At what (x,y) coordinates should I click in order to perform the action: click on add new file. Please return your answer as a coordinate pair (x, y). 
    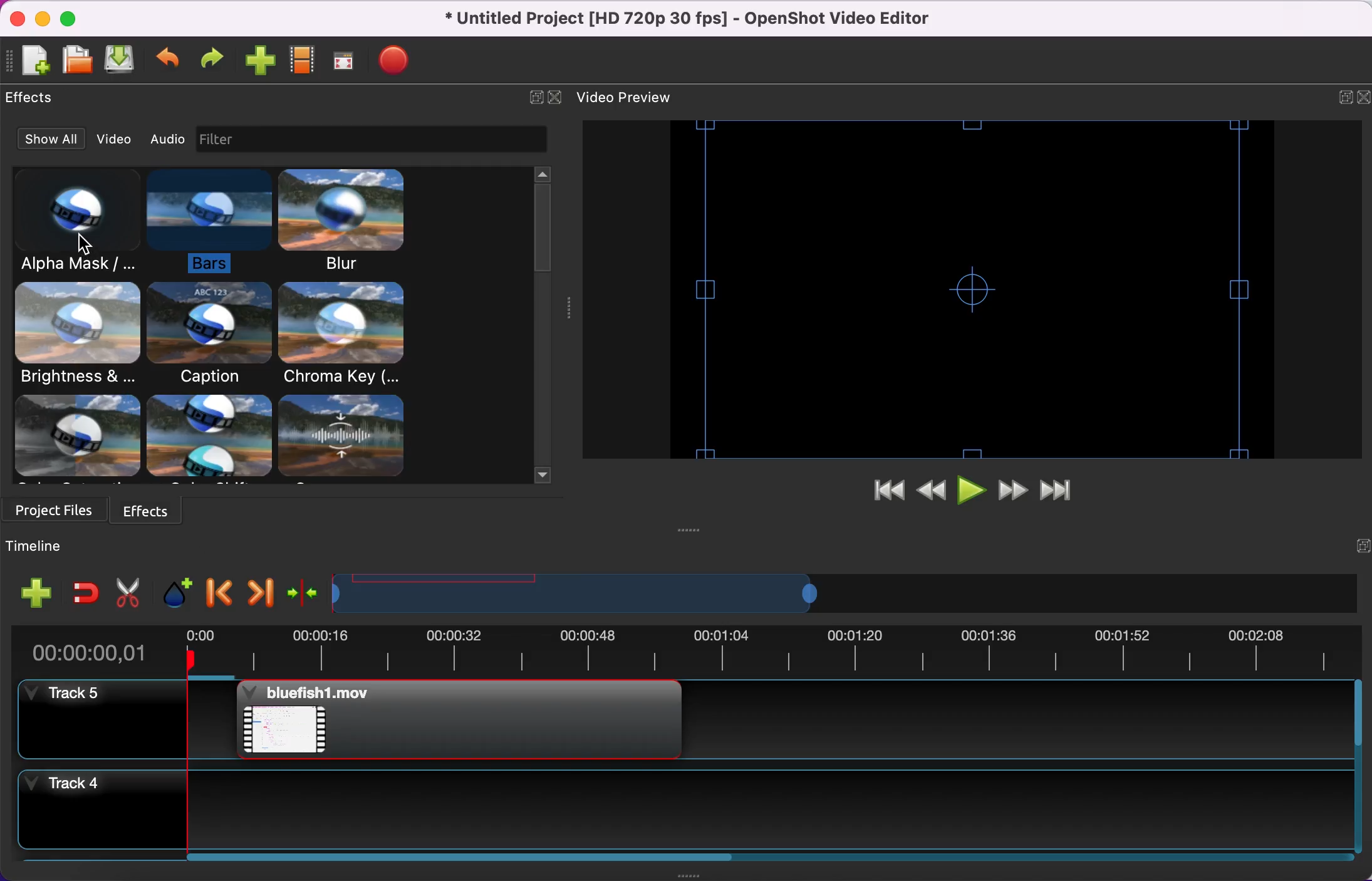
    Looking at the image, I should click on (34, 63).